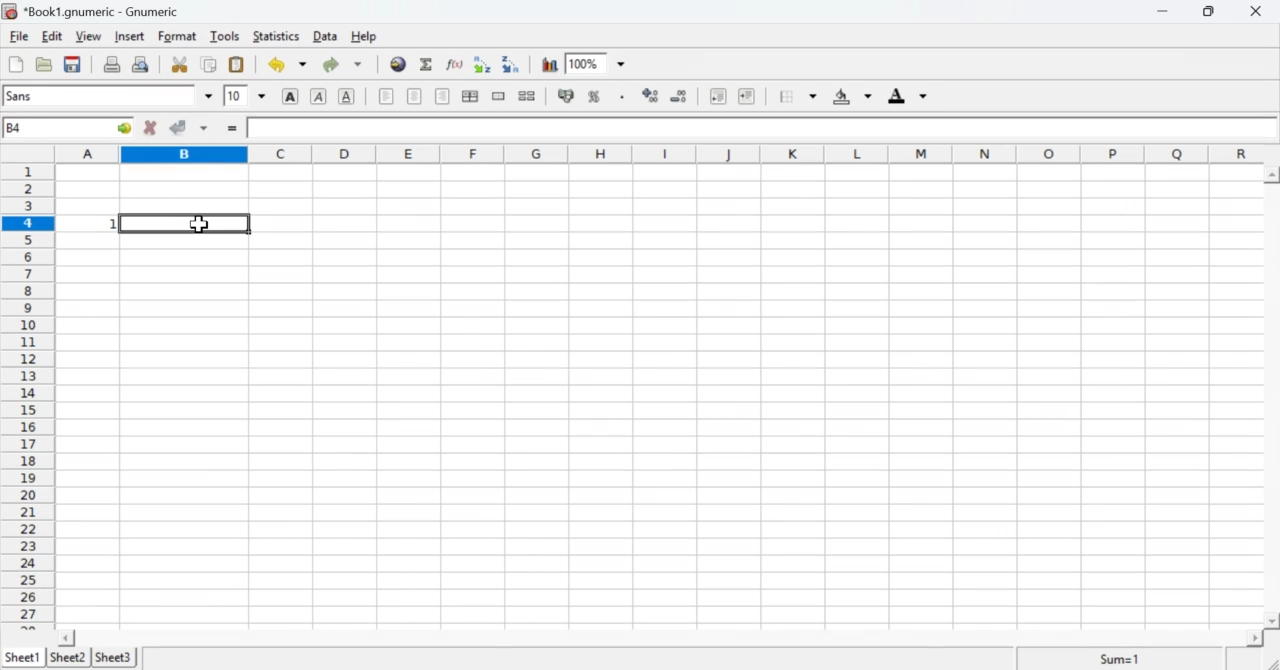  Describe the element at coordinates (747, 97) in the screenshot. I see `Increase indent, align to the left.` at that location.